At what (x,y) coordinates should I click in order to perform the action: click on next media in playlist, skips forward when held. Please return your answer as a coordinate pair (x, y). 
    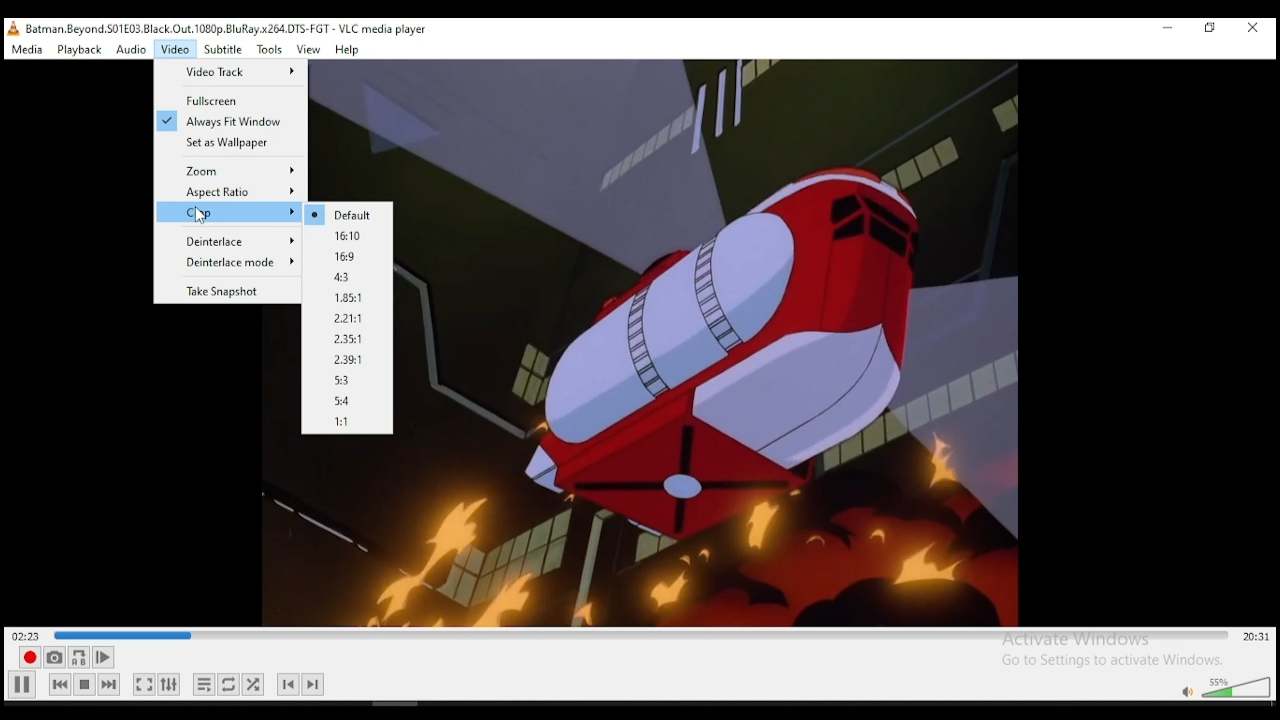
    Looking at the image, I should click on (108, 685).